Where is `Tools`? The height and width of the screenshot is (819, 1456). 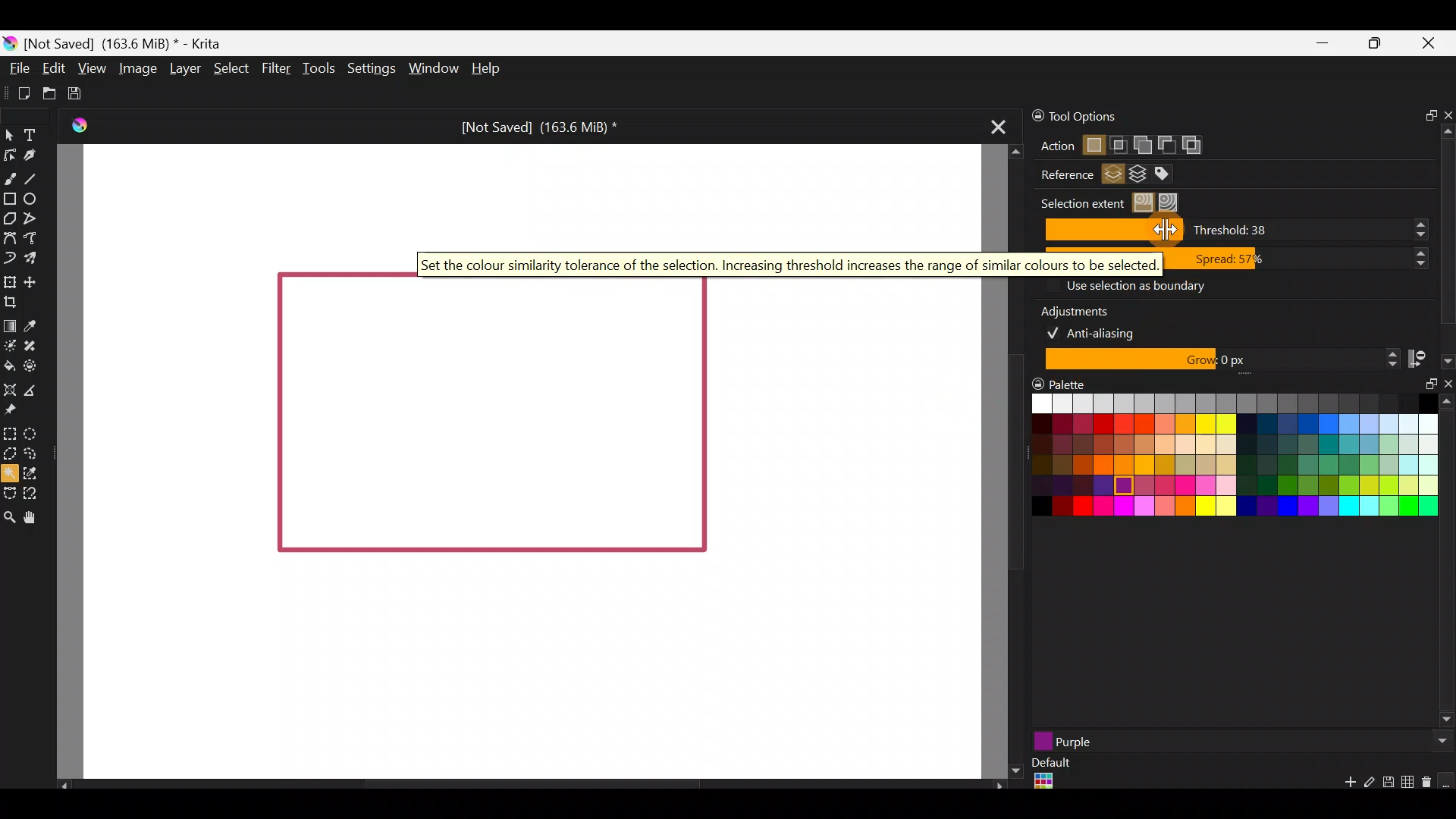
Tools is located at coordinates (315, 71).